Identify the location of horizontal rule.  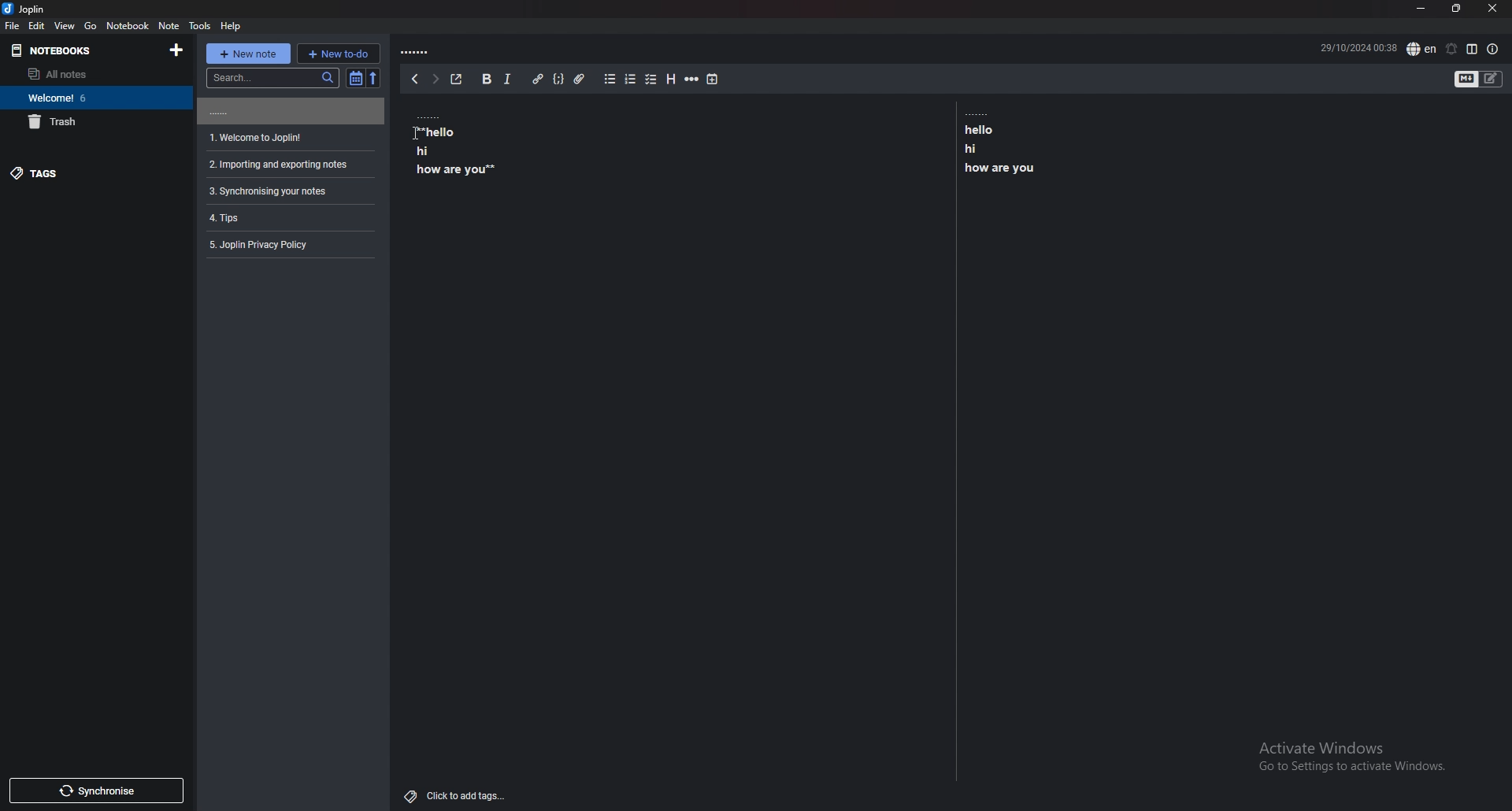
(692, 78).